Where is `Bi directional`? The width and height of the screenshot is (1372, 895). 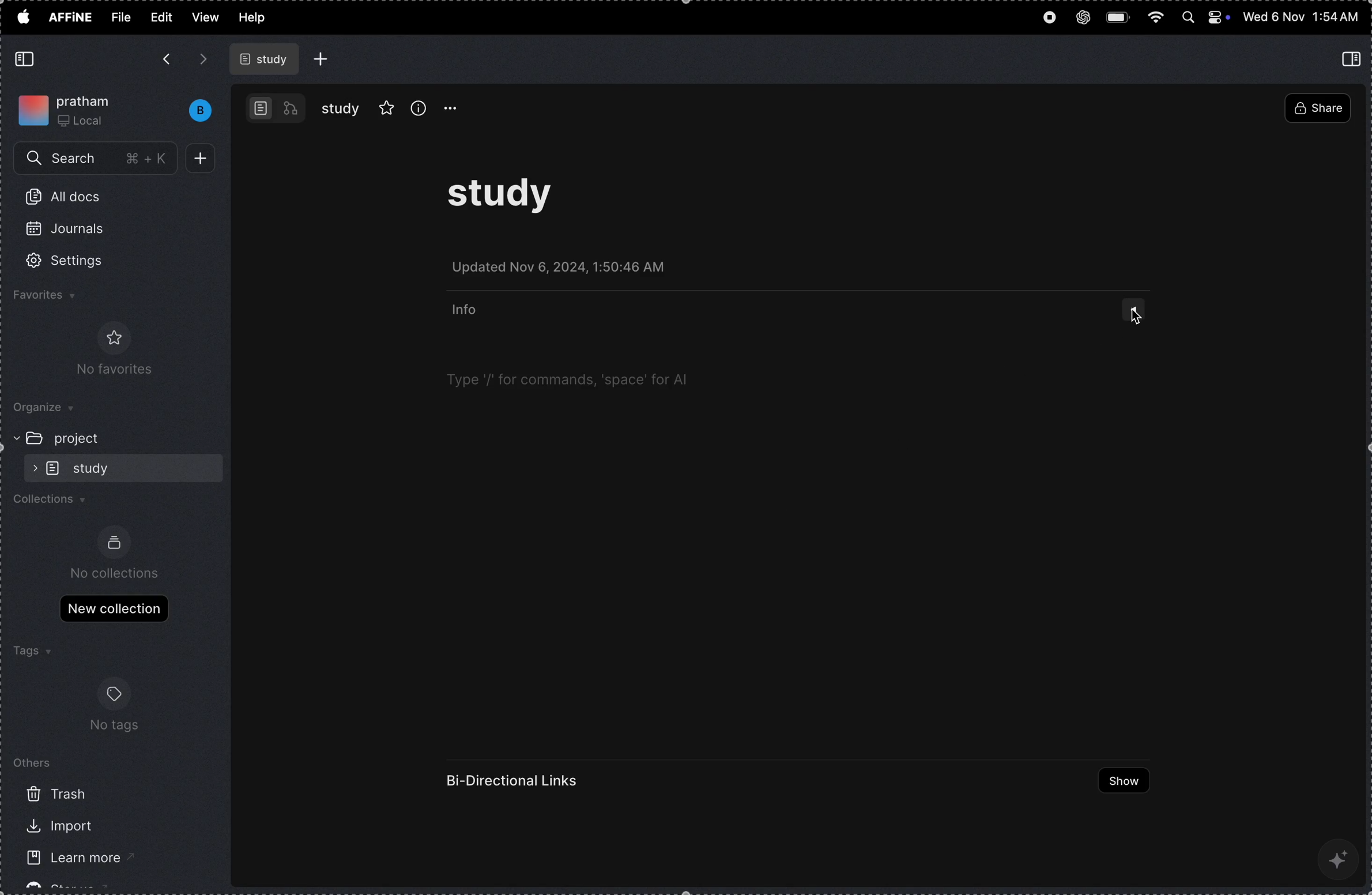
Bi directional is located at coordinates (515, 781).